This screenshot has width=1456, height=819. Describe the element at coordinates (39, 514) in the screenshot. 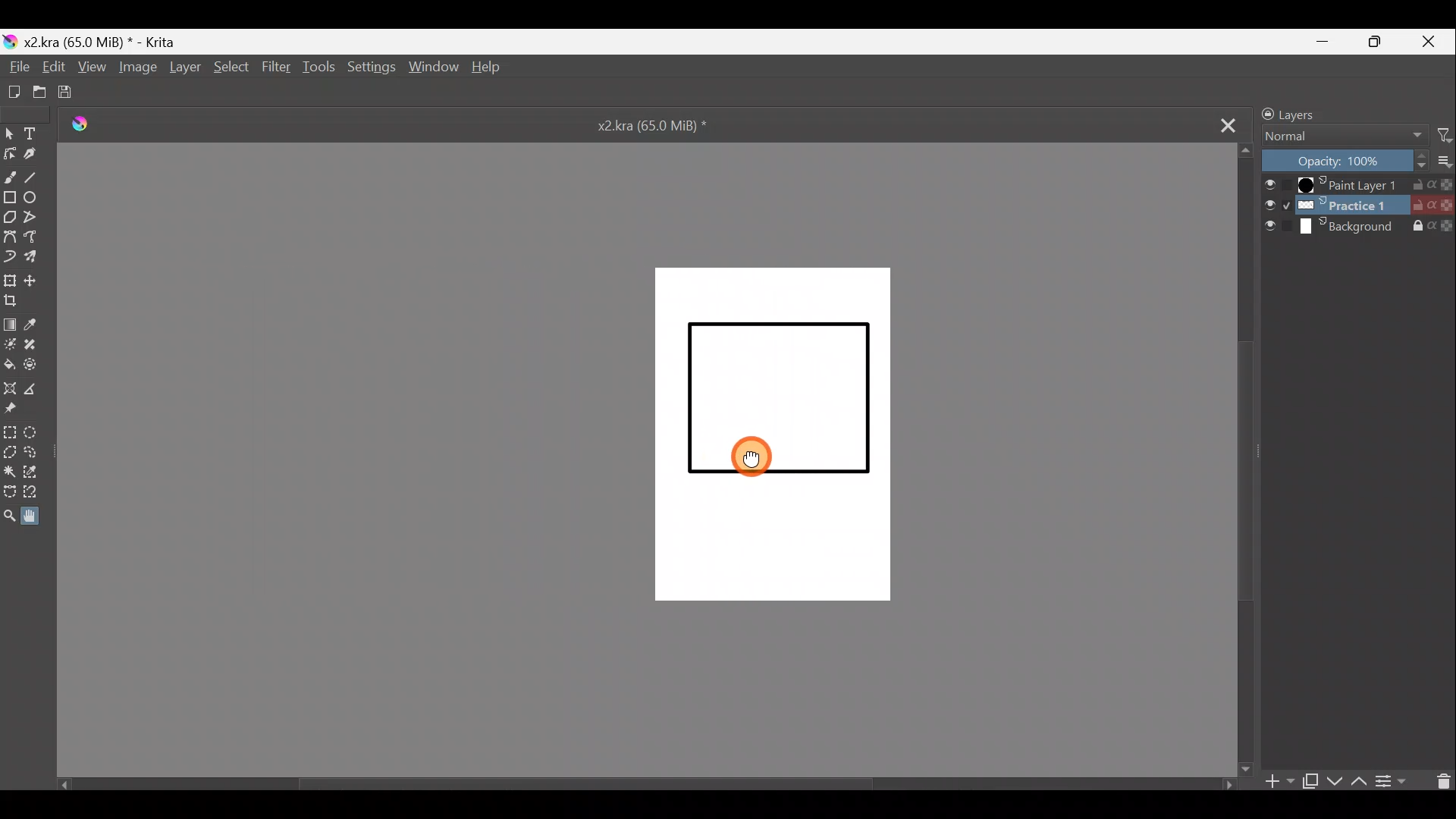

I see `Pan tool` at that location.